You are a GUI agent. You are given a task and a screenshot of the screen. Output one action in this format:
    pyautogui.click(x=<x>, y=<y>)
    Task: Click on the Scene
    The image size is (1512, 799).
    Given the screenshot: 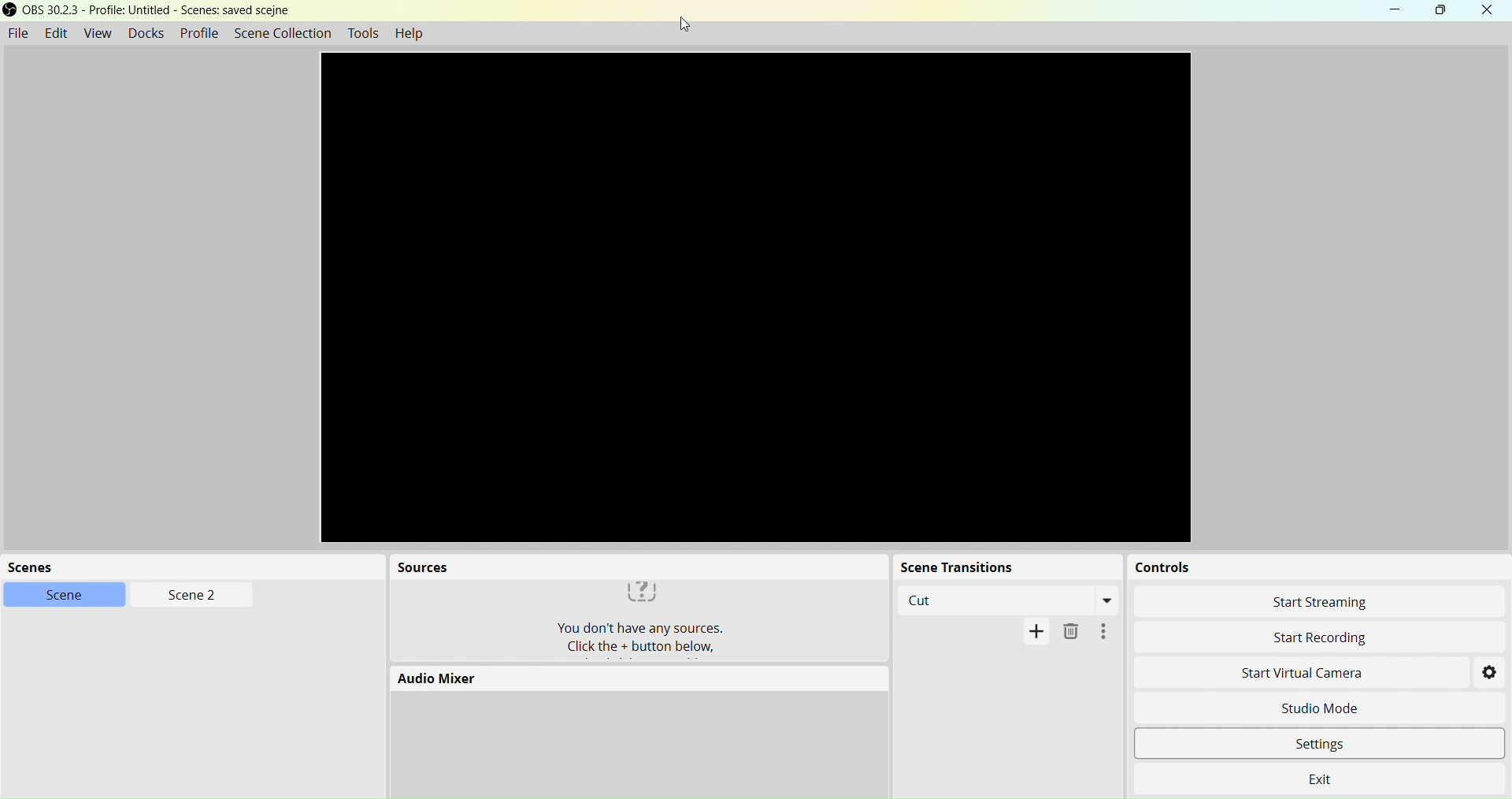 What is the action you would take?
    pyautogui.click(x=62, y=595)
    